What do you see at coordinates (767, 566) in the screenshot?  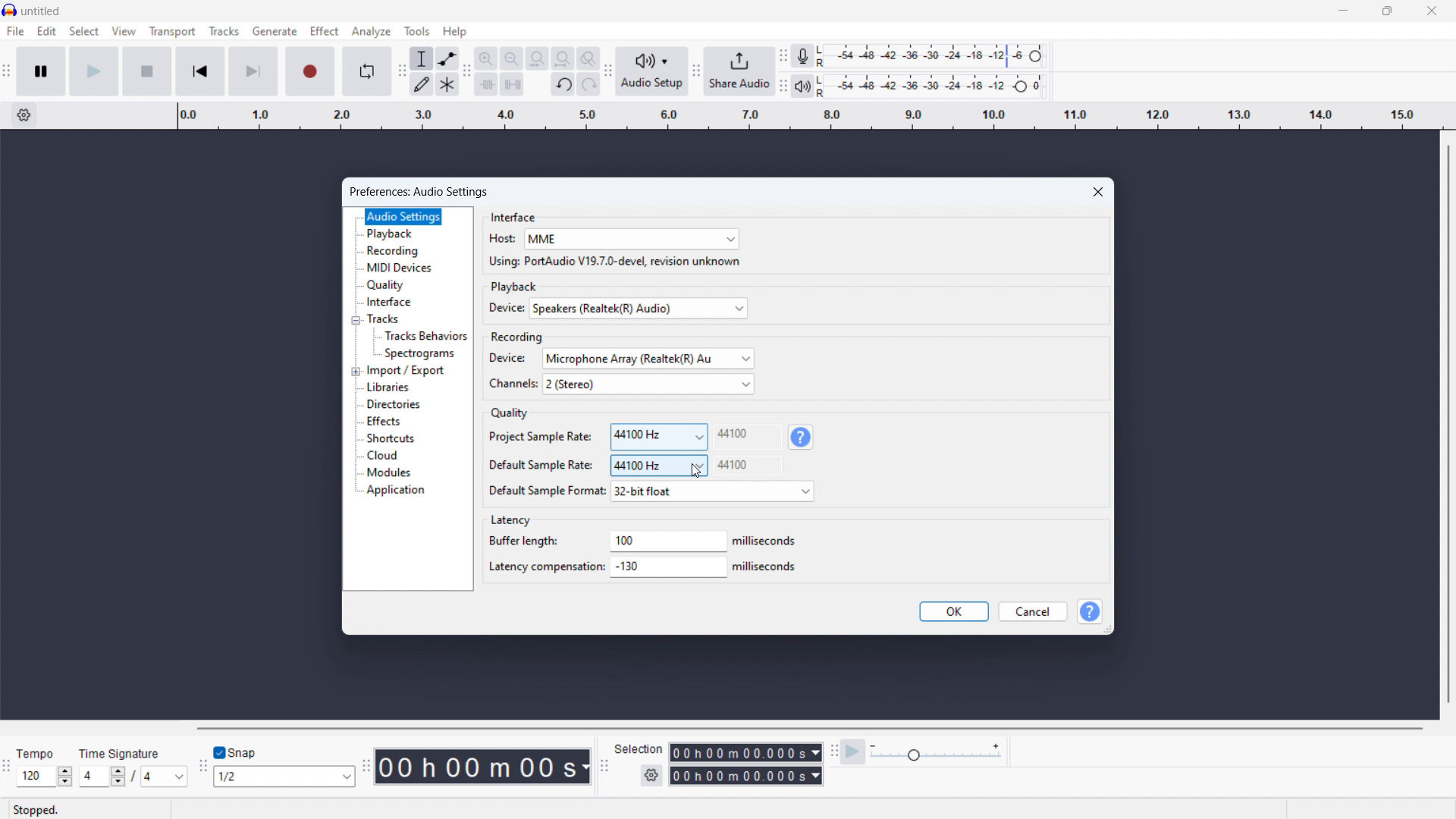 I see `milliseconds` at bounding box center [767, 566].